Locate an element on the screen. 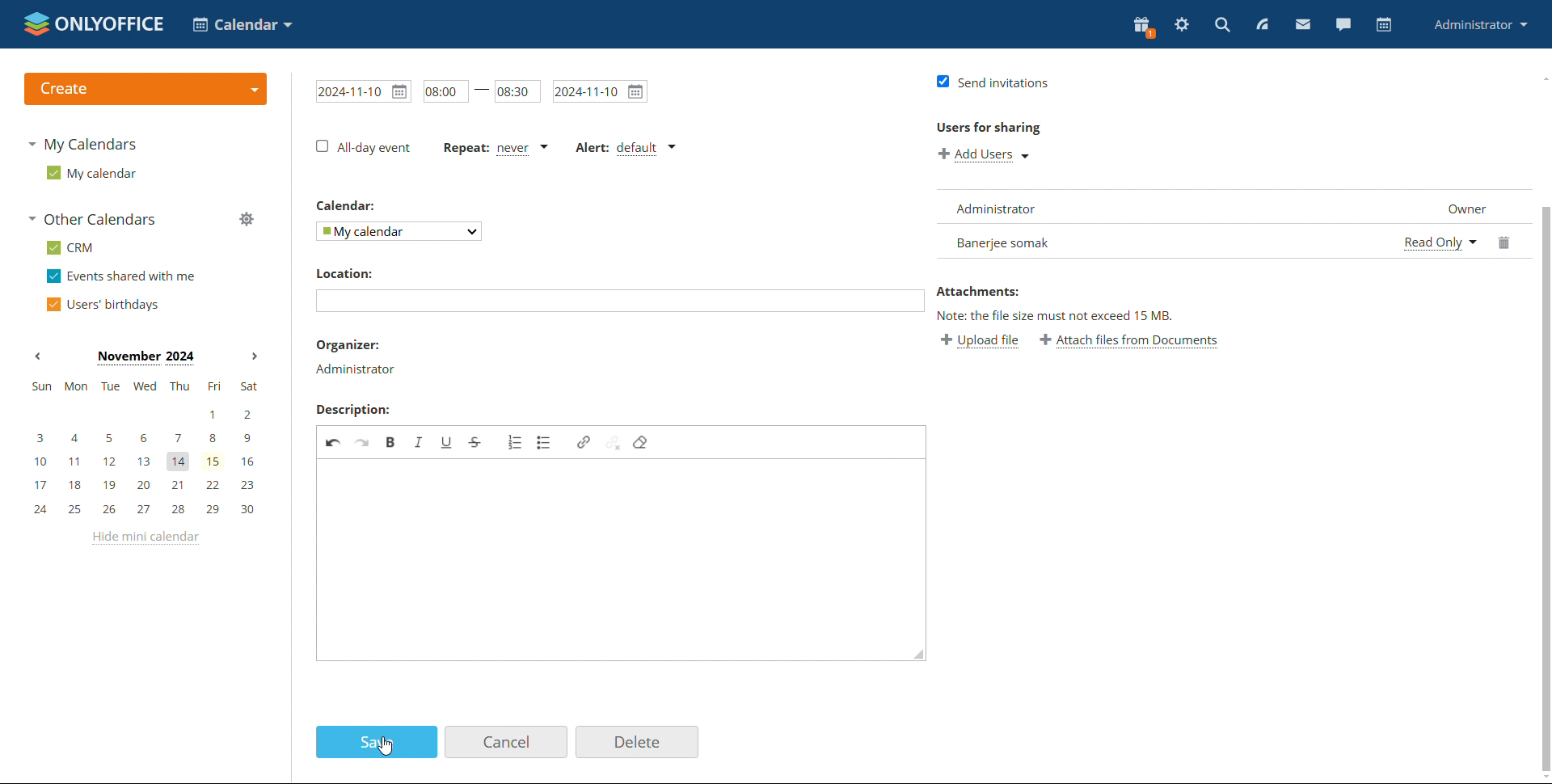 The width and height of the screenshot is (1552, 784). scroll down is located at coordinates (1542, 776).